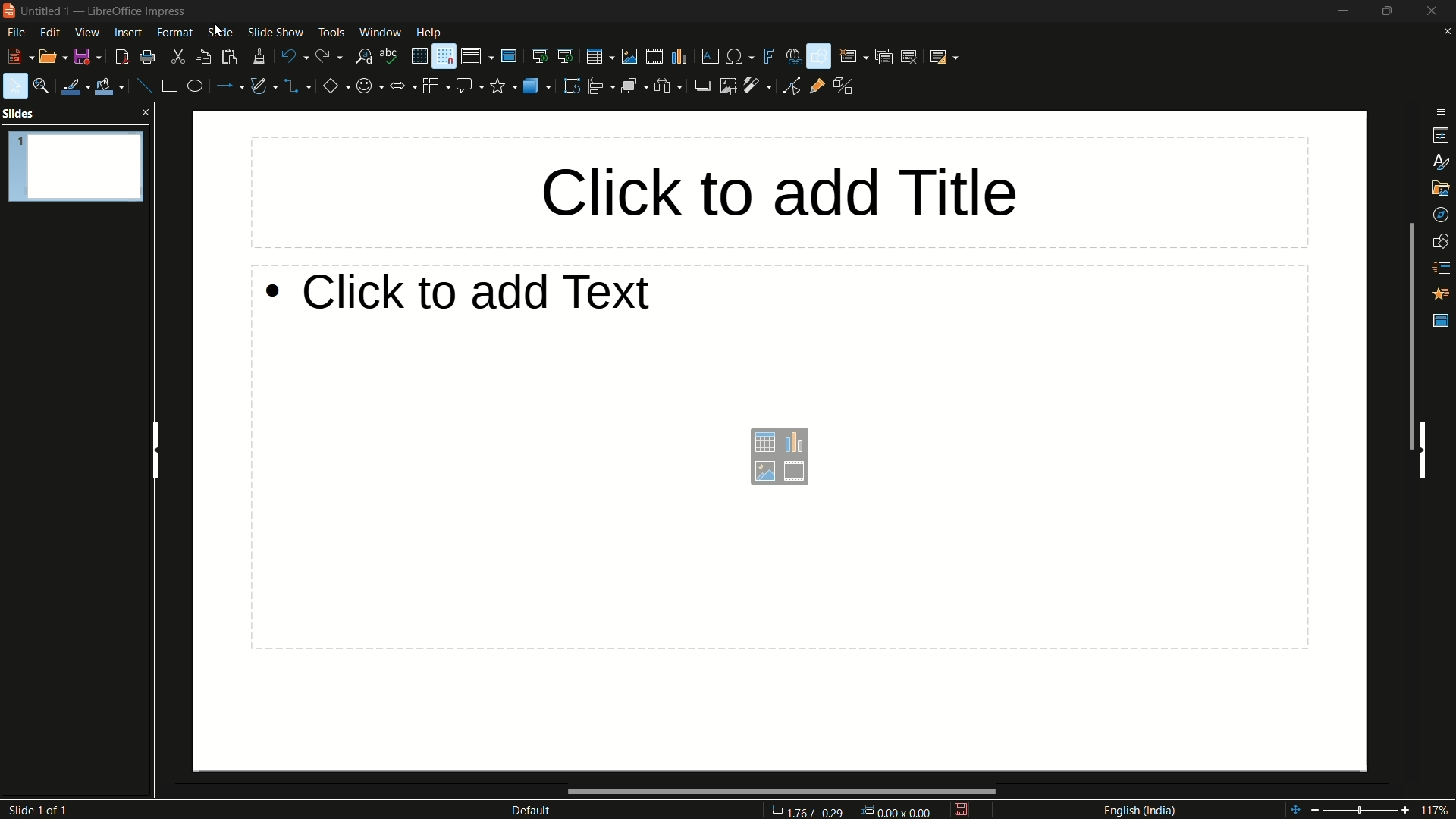 The width and height of the screenshot is (1456, 819). What do you see at coordinates (1314, 810) in the screenshot?
I see `zoom out` at bounding box center [1314, 810].